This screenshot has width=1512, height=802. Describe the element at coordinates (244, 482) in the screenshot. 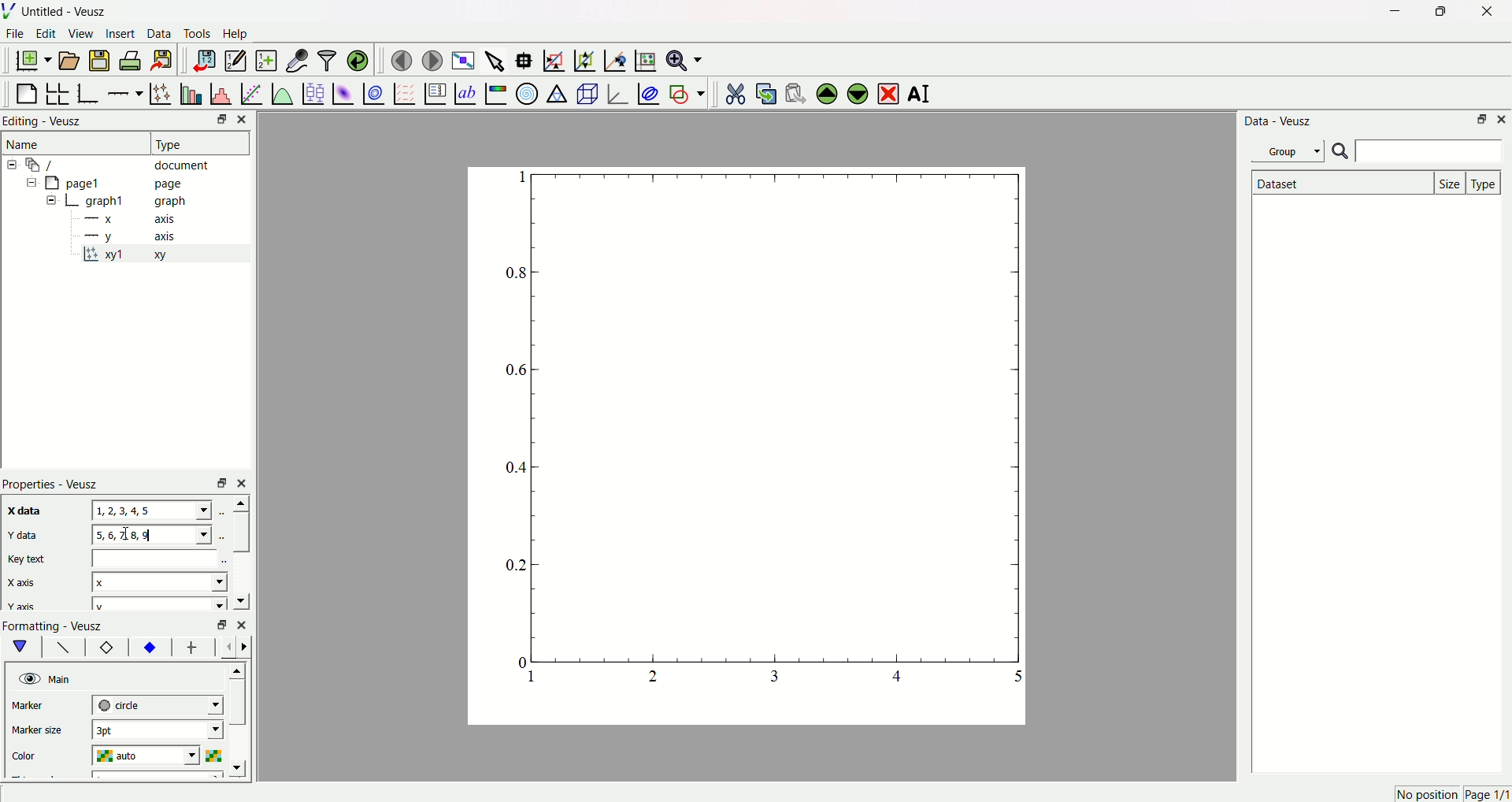

I see `close` at that location.